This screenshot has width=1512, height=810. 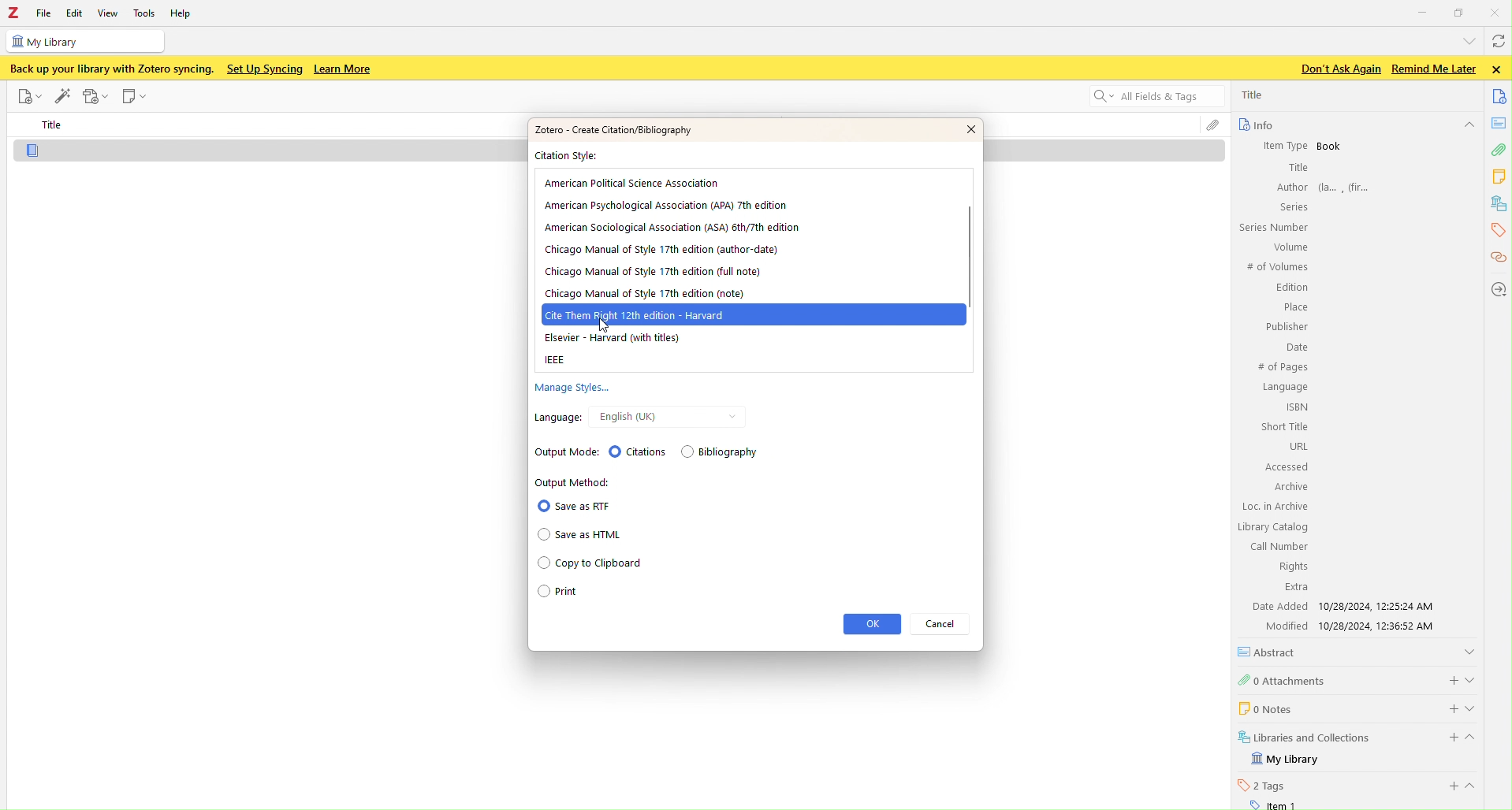 I want to click on save as RTF, so click(x=574, y=506).